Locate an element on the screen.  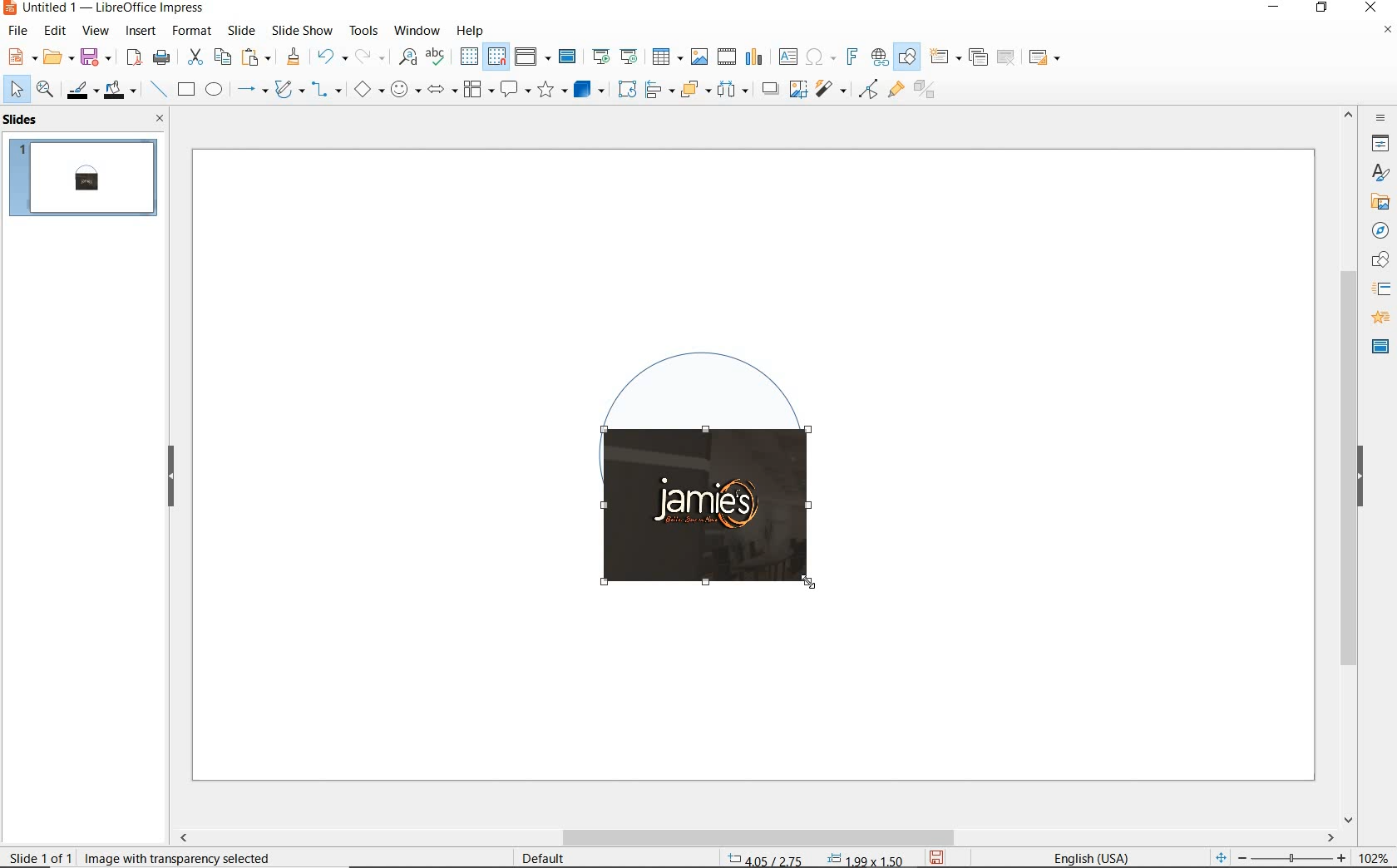
show gluepoint functions is located at coordinates (892, 91).